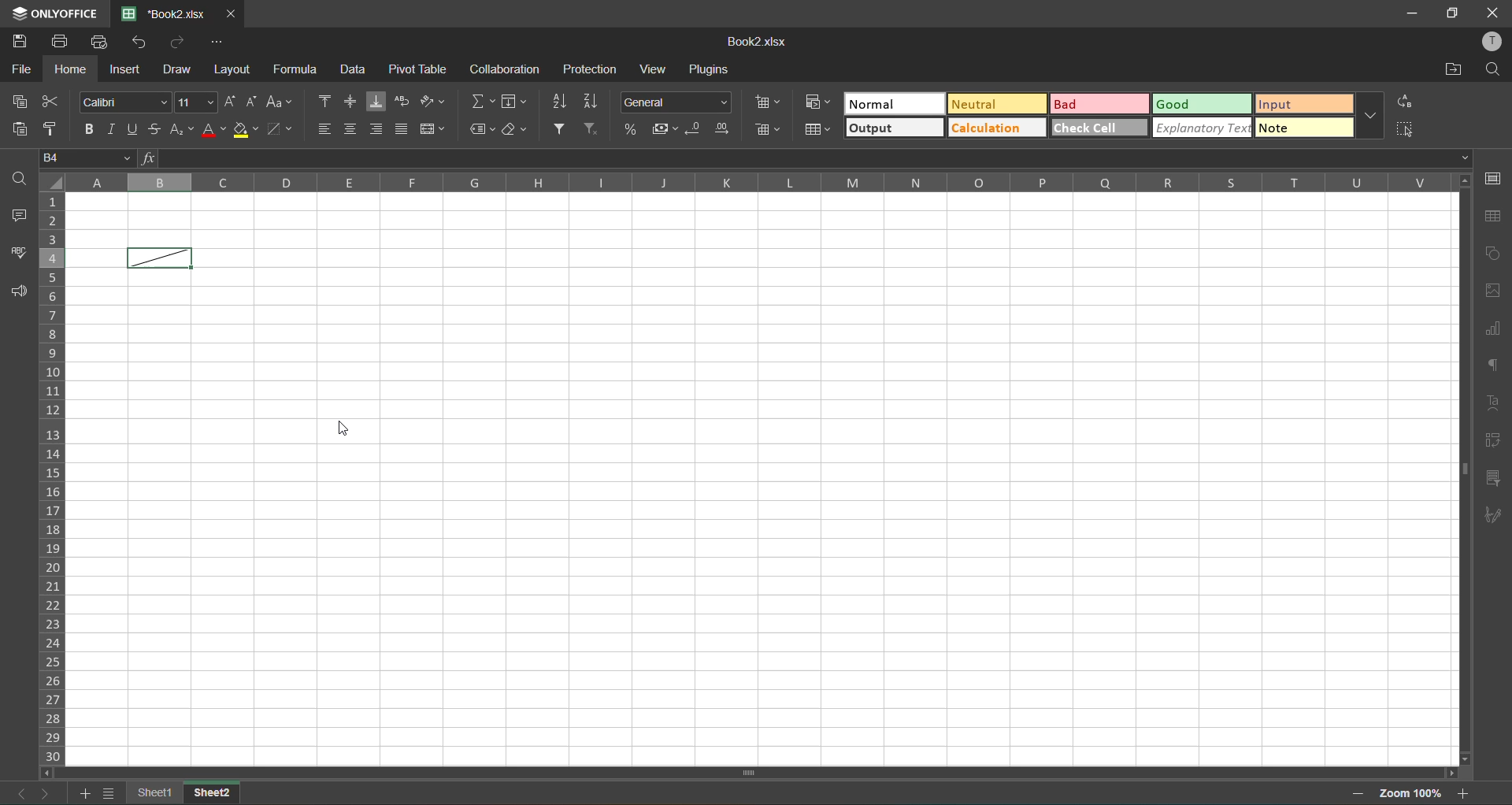 This screenshot has width=1512, height=805. Describe the element at coordinates (345, 428) in the screenshot. I see `cursor` at that location.